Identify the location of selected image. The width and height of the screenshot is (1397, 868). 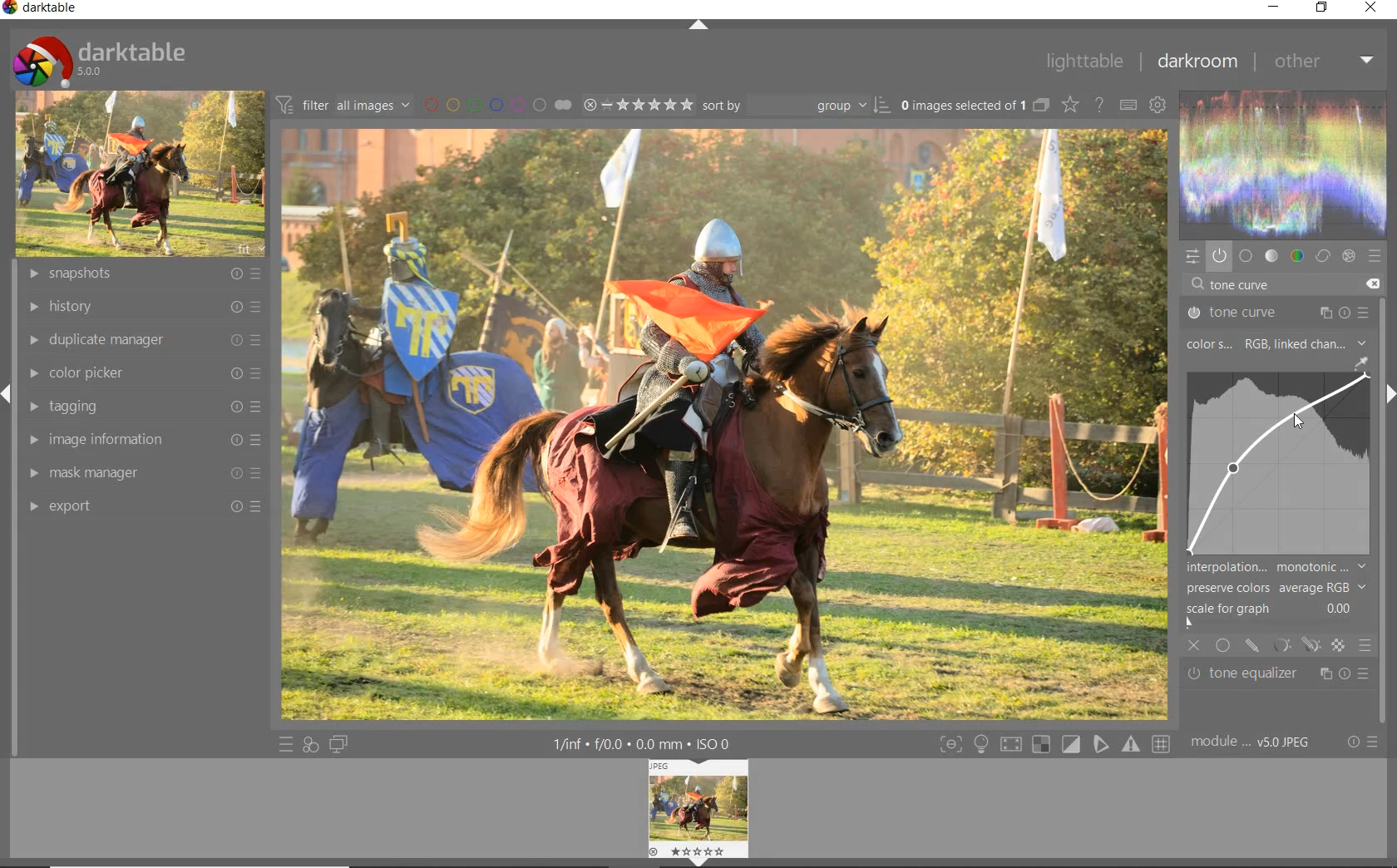
(722, 423).